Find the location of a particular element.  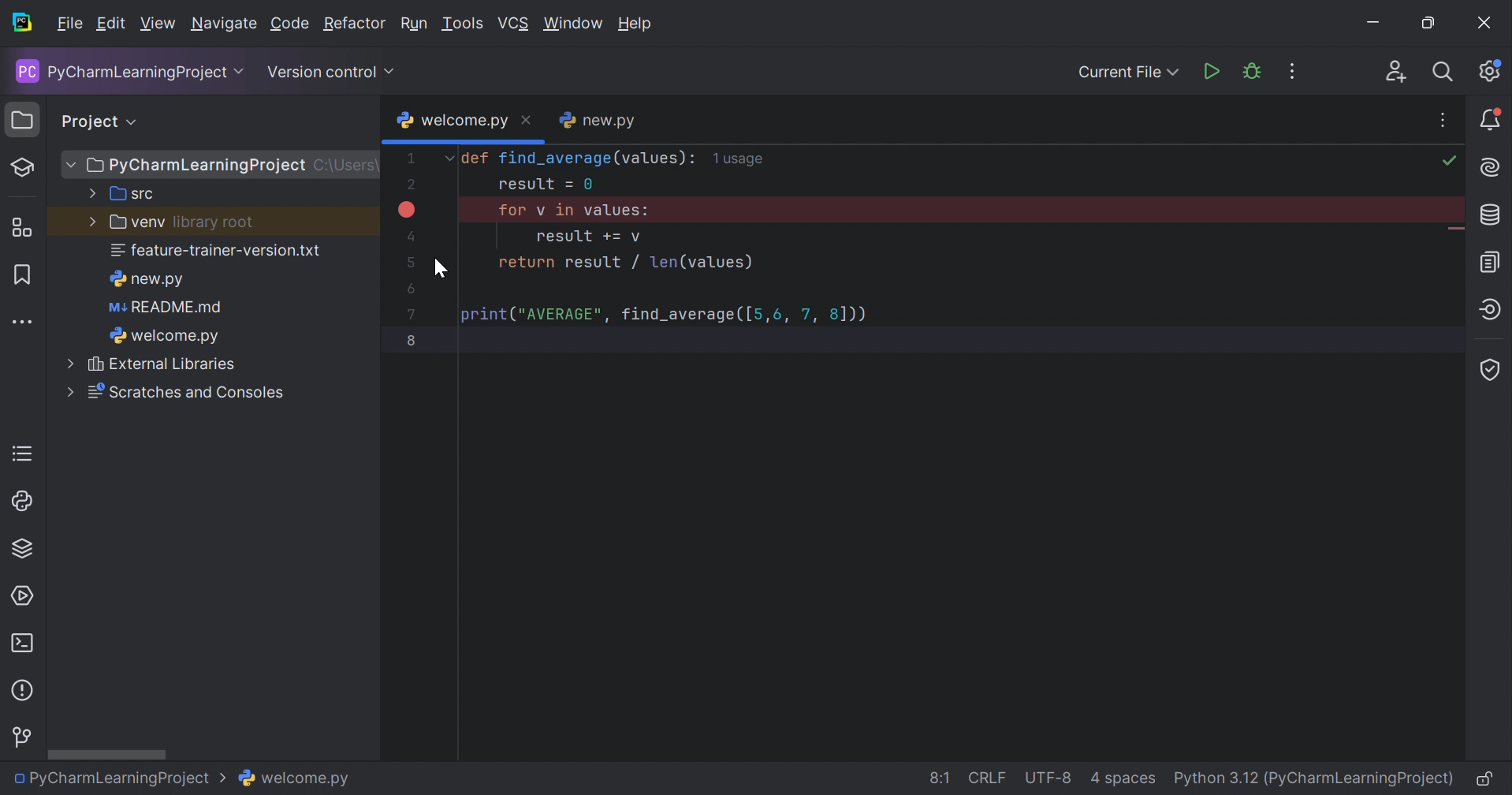

Documentation is located at coordinates (1488, 262).